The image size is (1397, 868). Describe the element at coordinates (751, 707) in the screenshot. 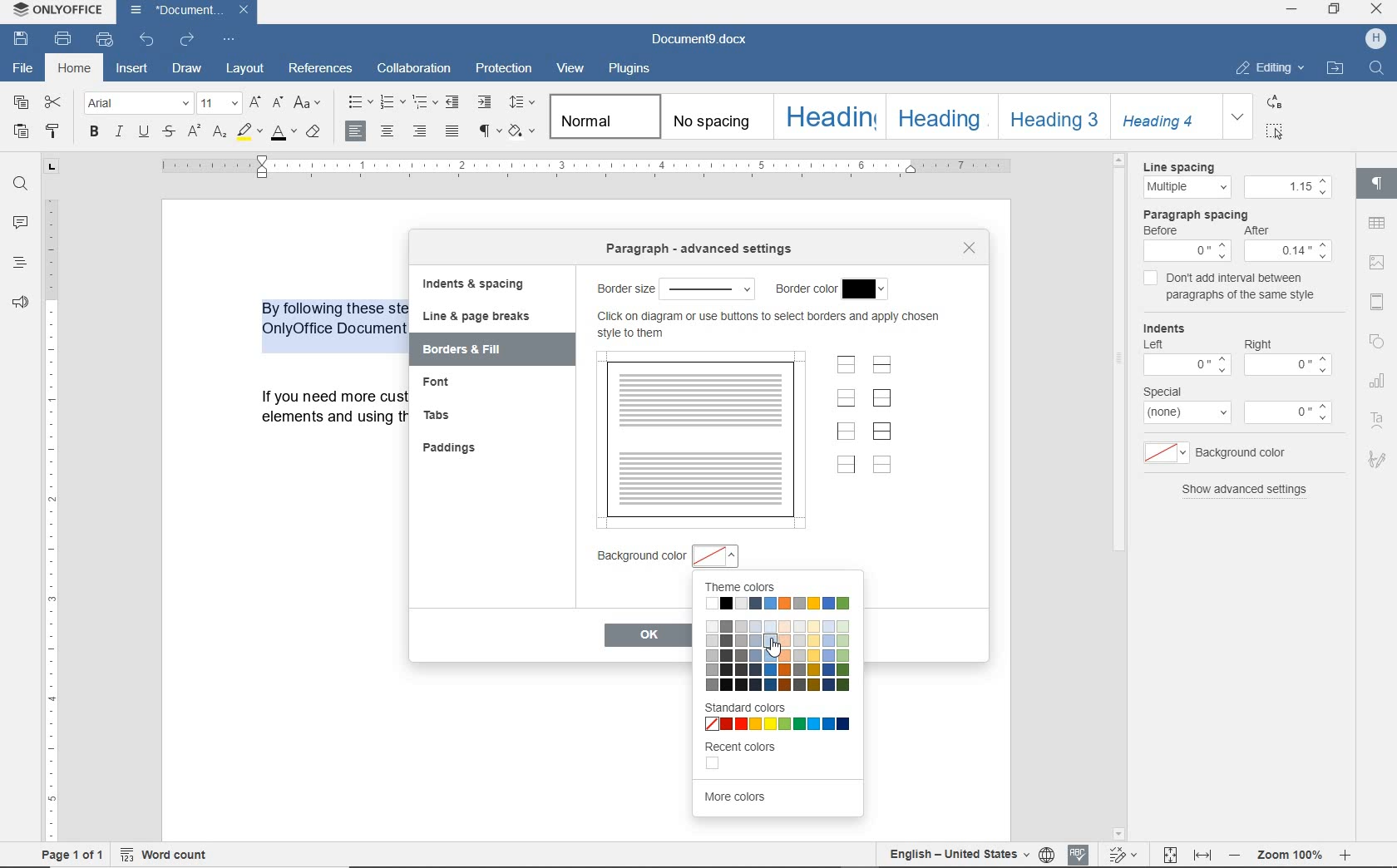

I see `standard colors` at that location.